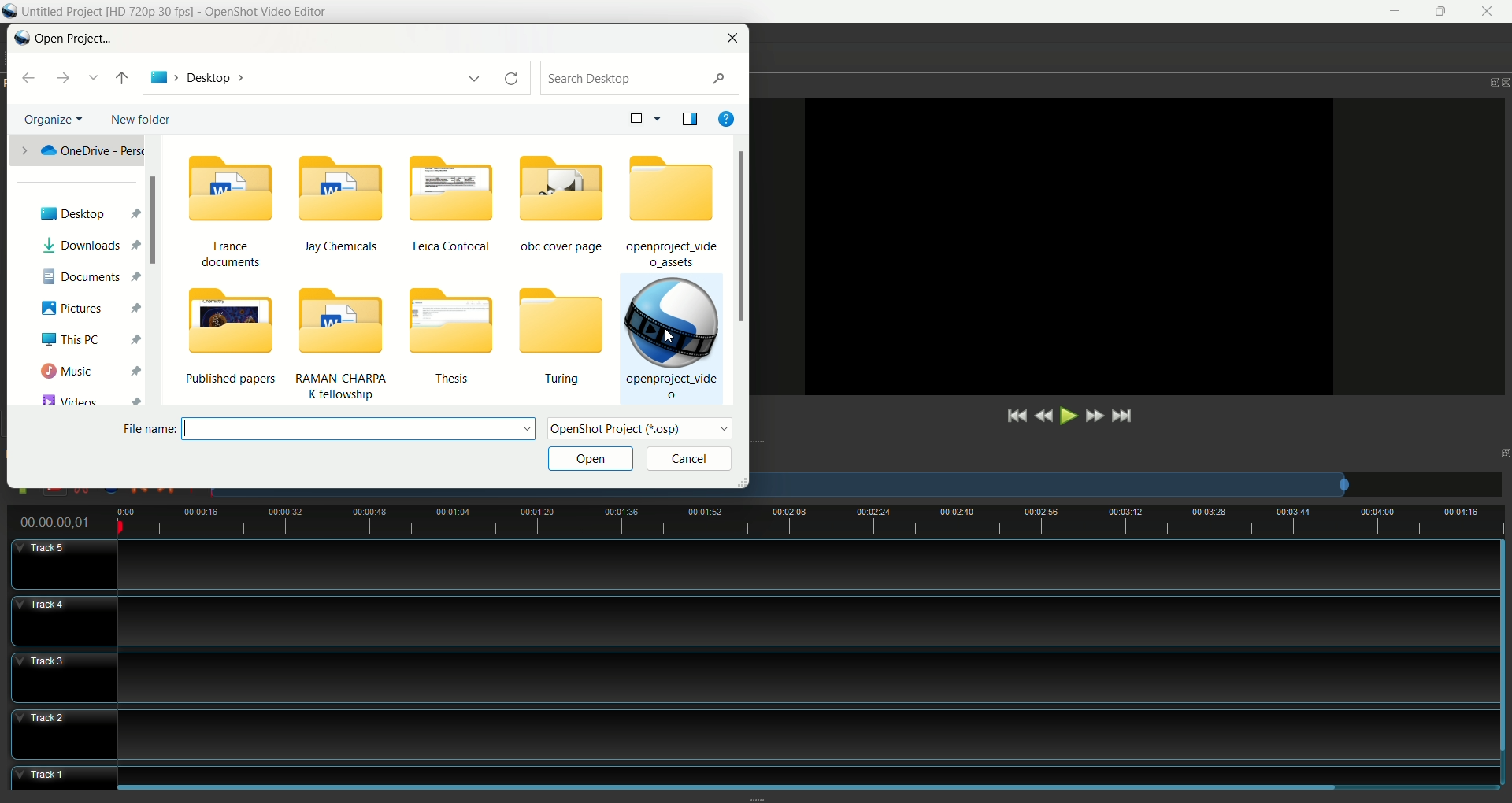 The height and width of the screenshot is (803, 1512). Describe the element at coordinates (1045, 417) in the screenshot. I see `rewind` at that location.